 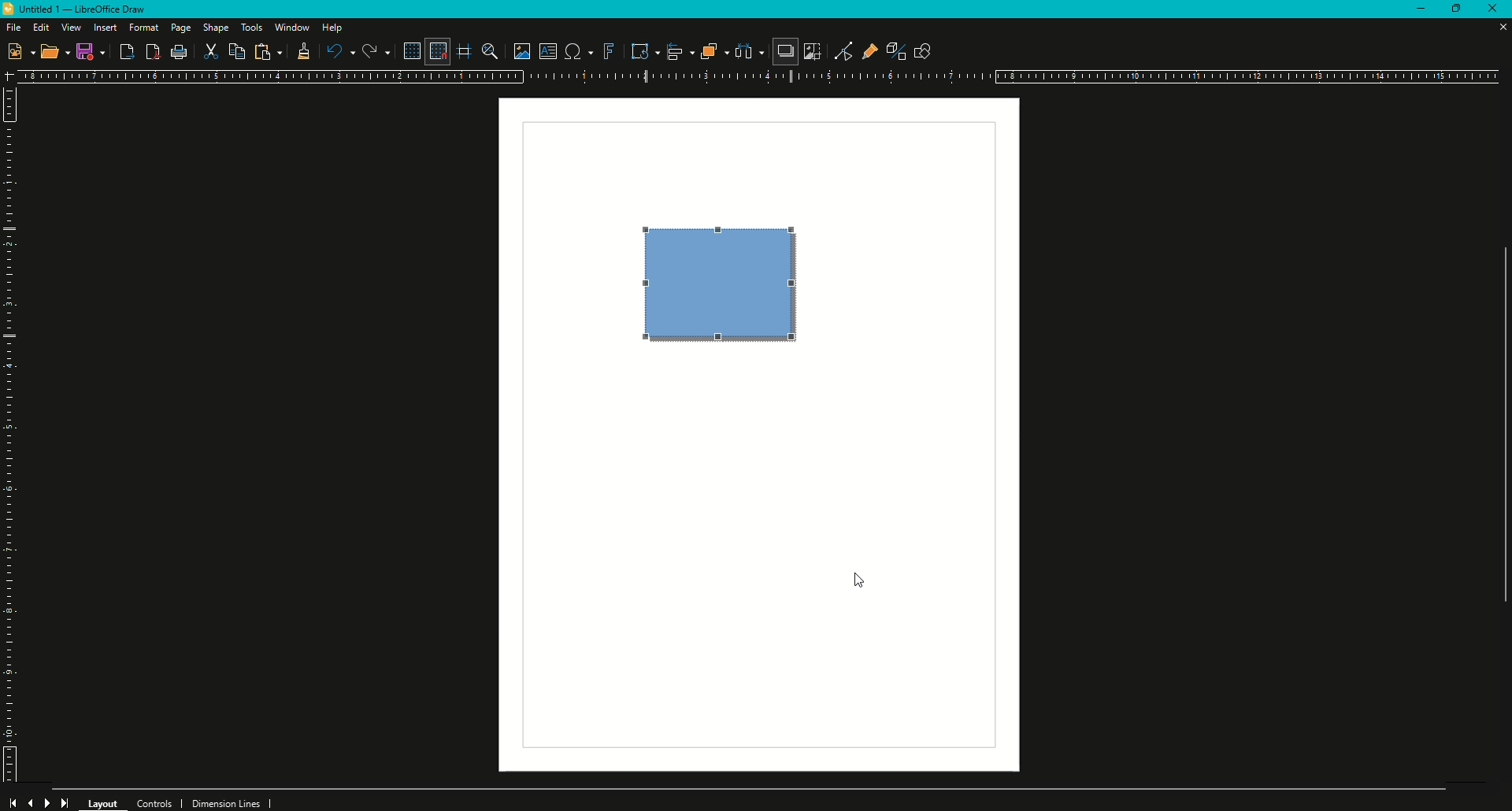 I want to click on Helplines, so click(x=465, y=51).